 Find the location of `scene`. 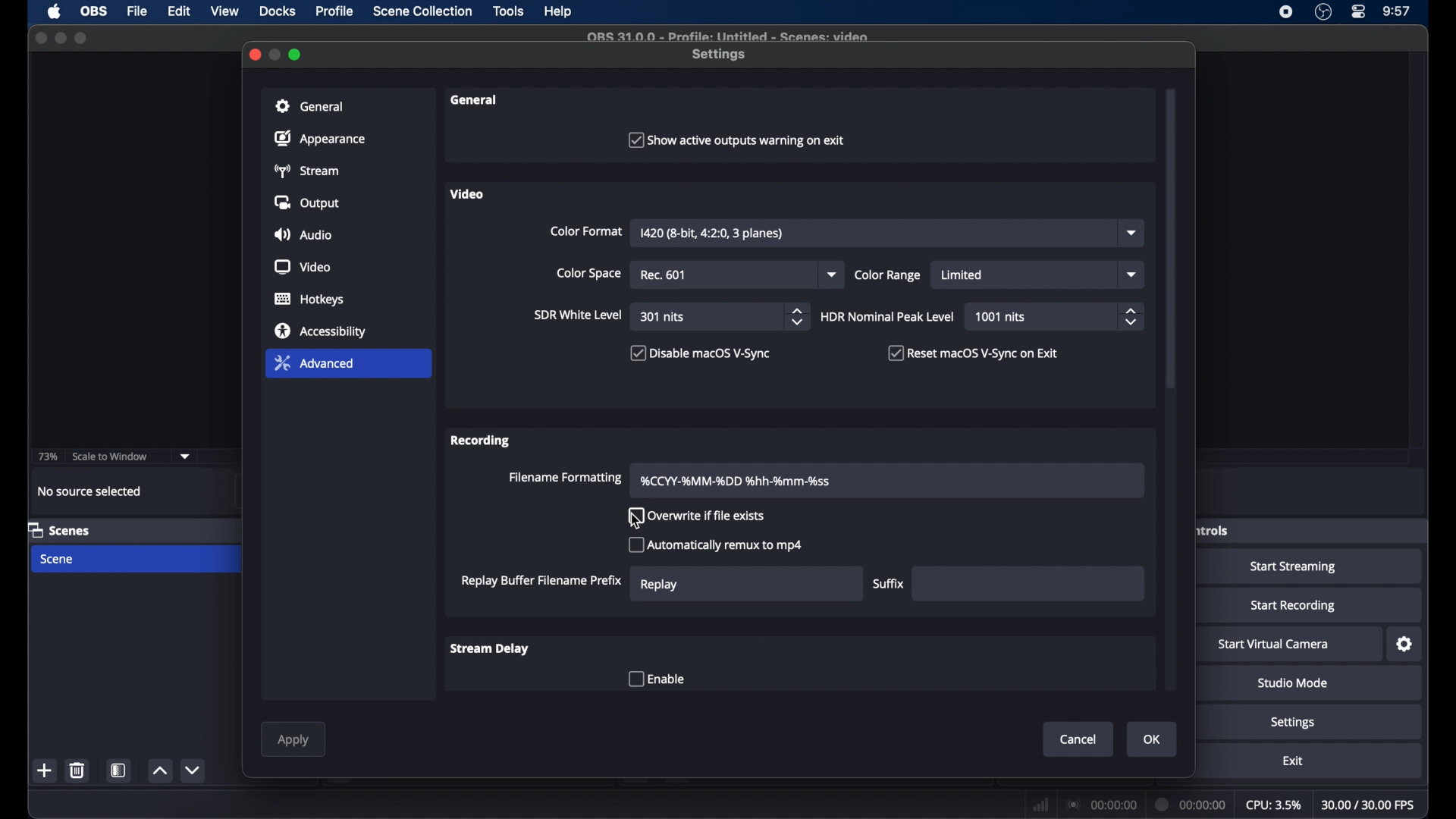

scene is located at coordinates (55, 559).